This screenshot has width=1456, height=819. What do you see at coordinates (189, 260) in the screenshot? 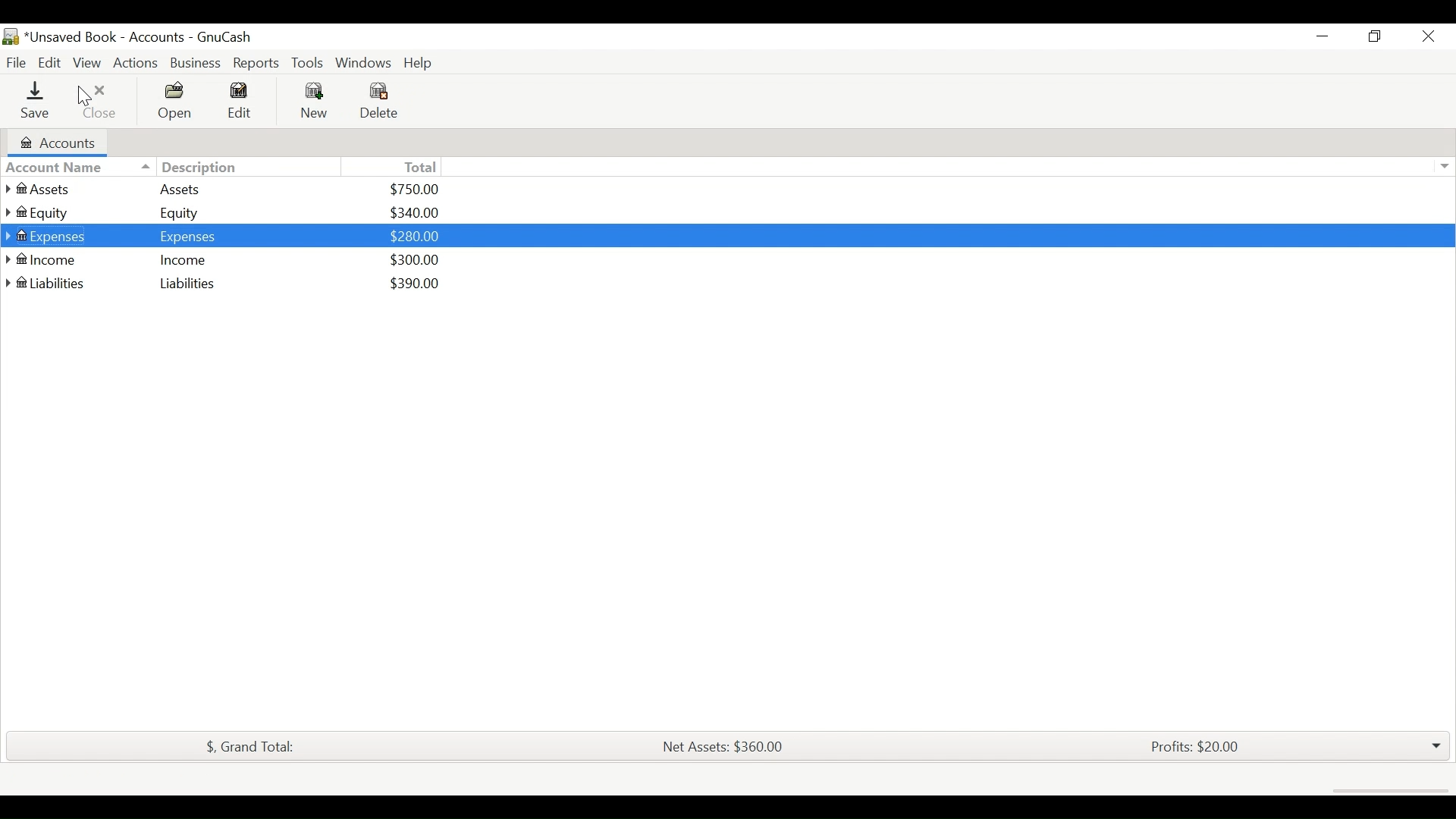
I see `Income` at bounding box center [189, 260].